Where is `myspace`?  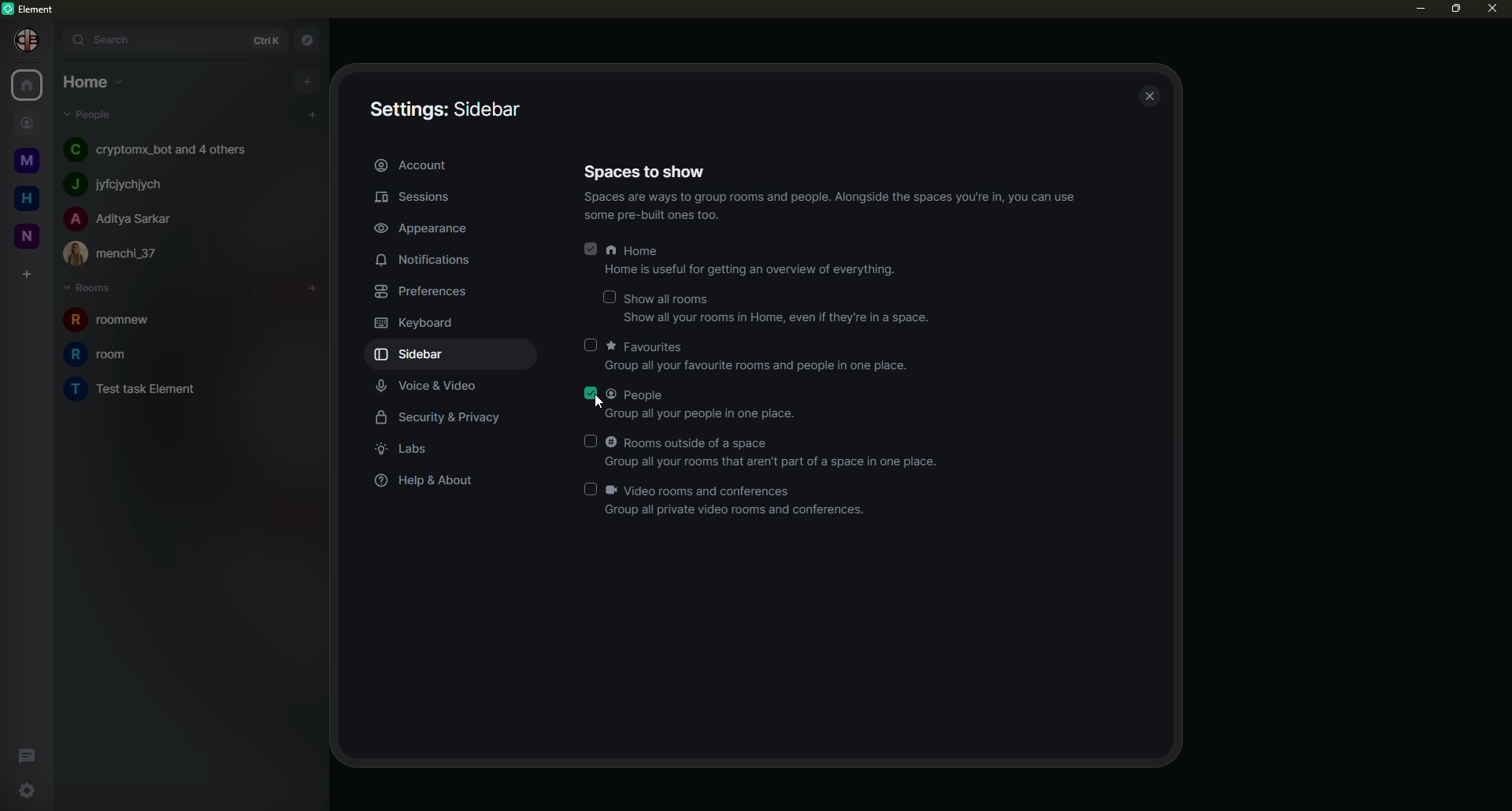 myspace is located at coordinates (24, 161).